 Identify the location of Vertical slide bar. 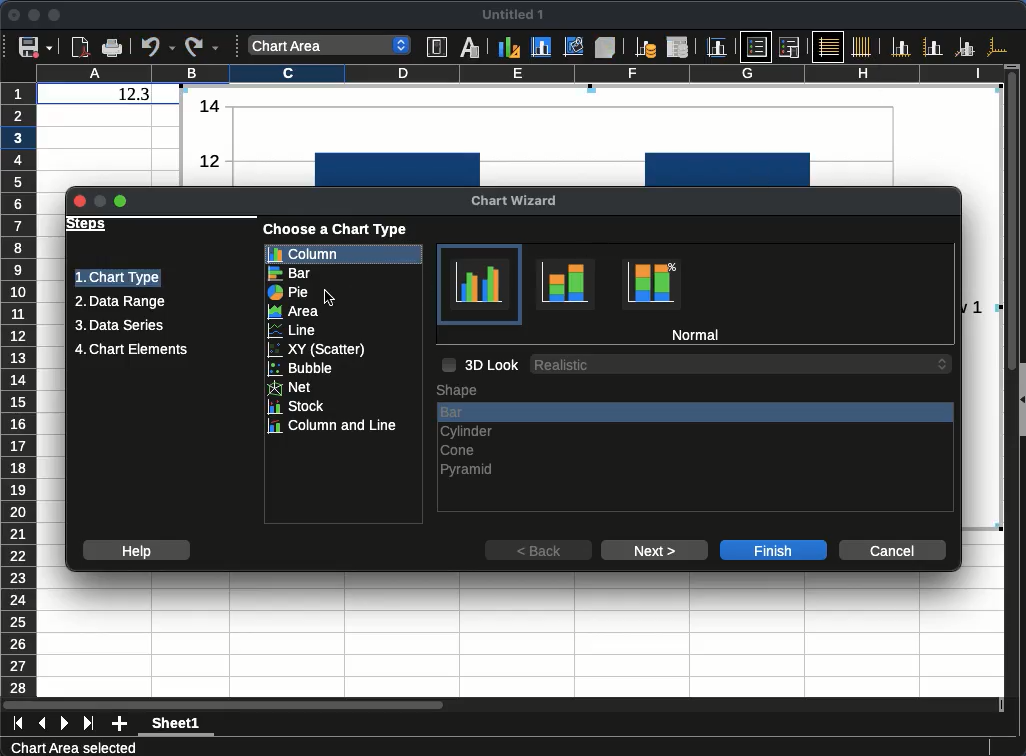
(1012, 225).